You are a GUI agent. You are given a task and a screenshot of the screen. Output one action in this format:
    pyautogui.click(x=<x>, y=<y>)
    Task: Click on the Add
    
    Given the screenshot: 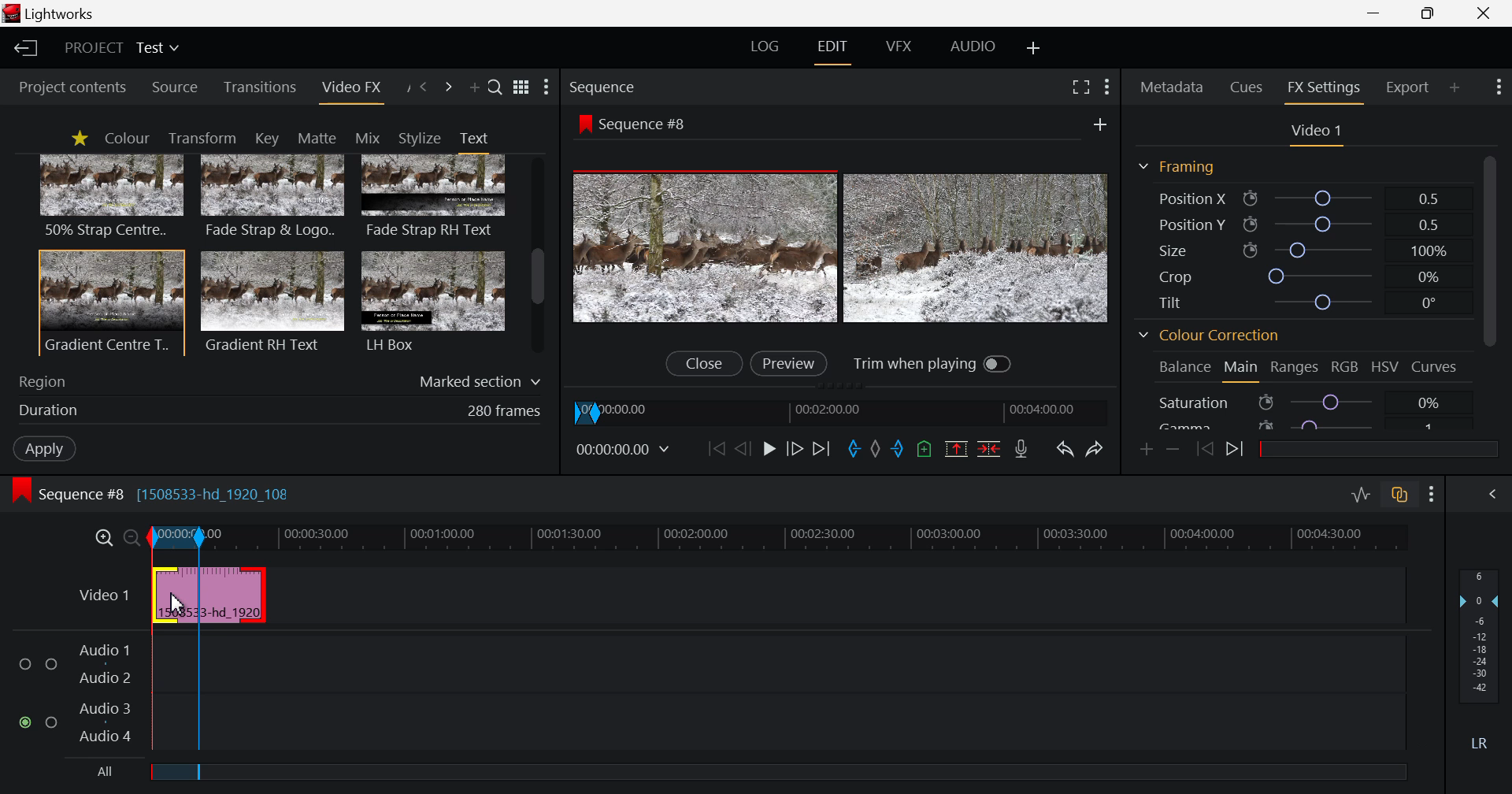 What is the action you would take?
    pyautogui.click(x=1095, y=123)
    